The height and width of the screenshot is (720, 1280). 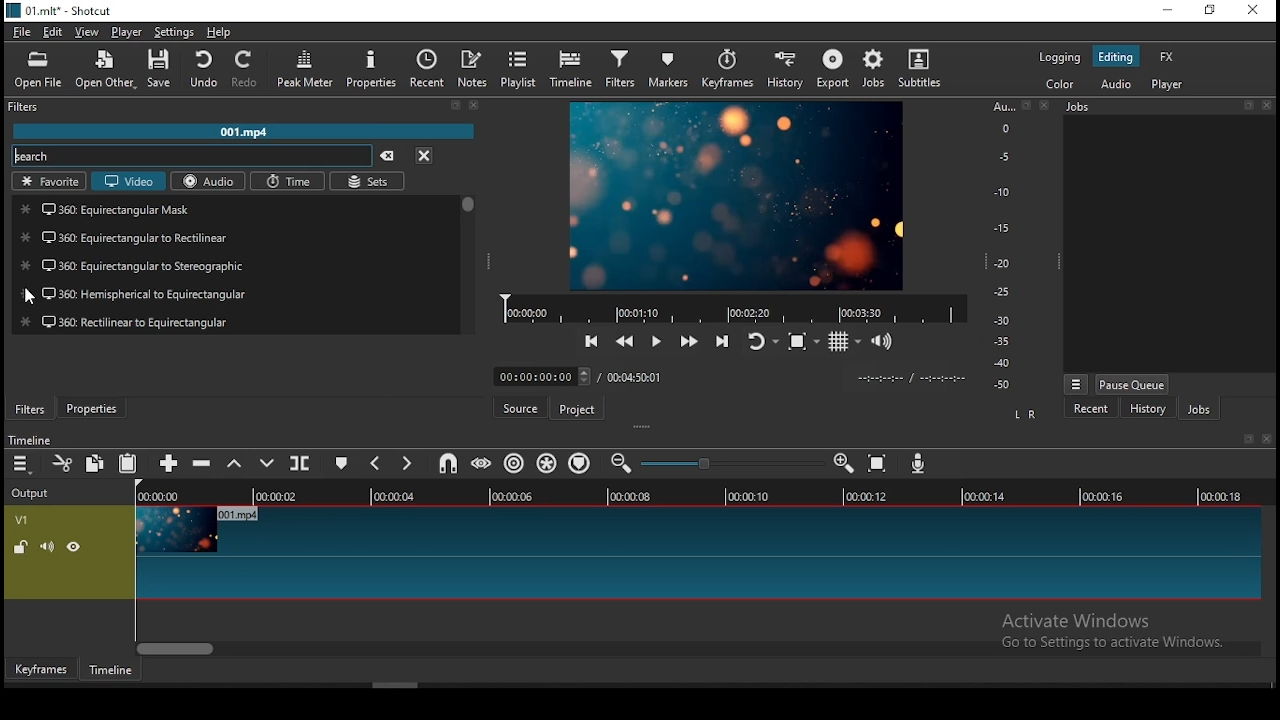 What do you see at coordinates (203, 464) in the screenshot?
I see `ripple delete` at bounding box center [203, 464].